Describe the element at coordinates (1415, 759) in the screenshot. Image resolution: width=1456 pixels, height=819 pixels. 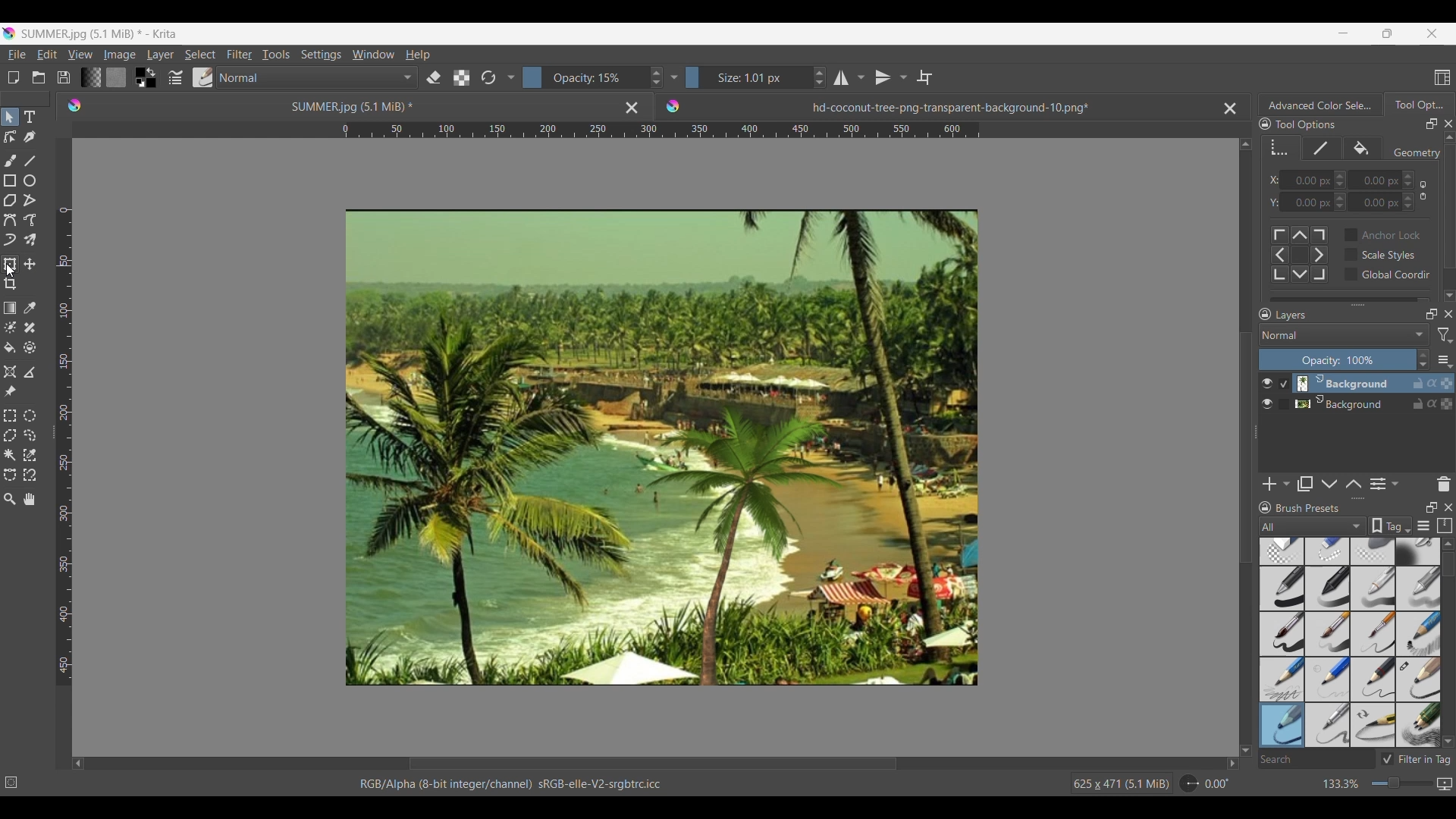
I see `Filter in tag` at that location.